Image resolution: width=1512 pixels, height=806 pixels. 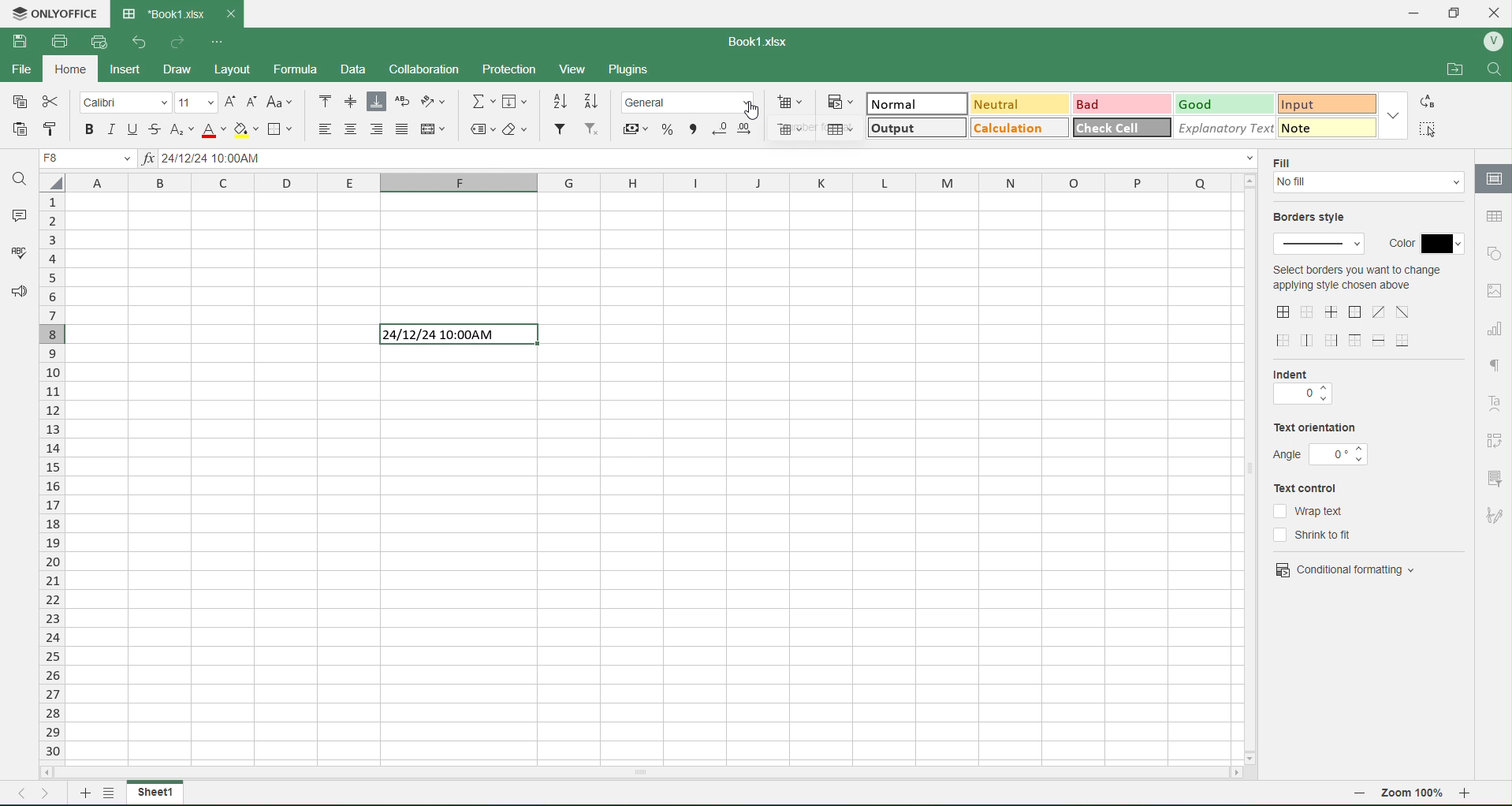 I want to click on Fill Color, so click(x=245, y=129).